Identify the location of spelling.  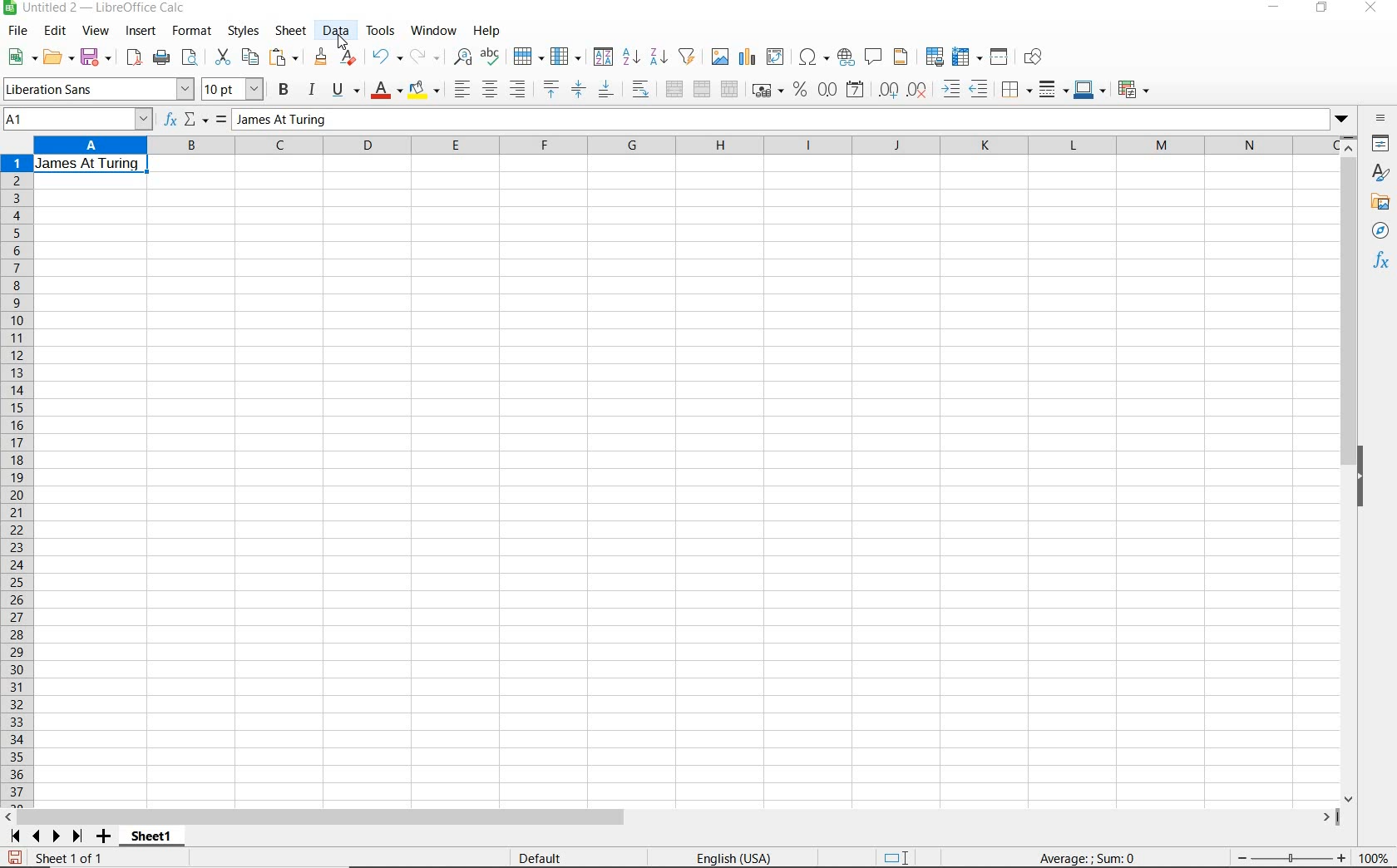
(490, 57).